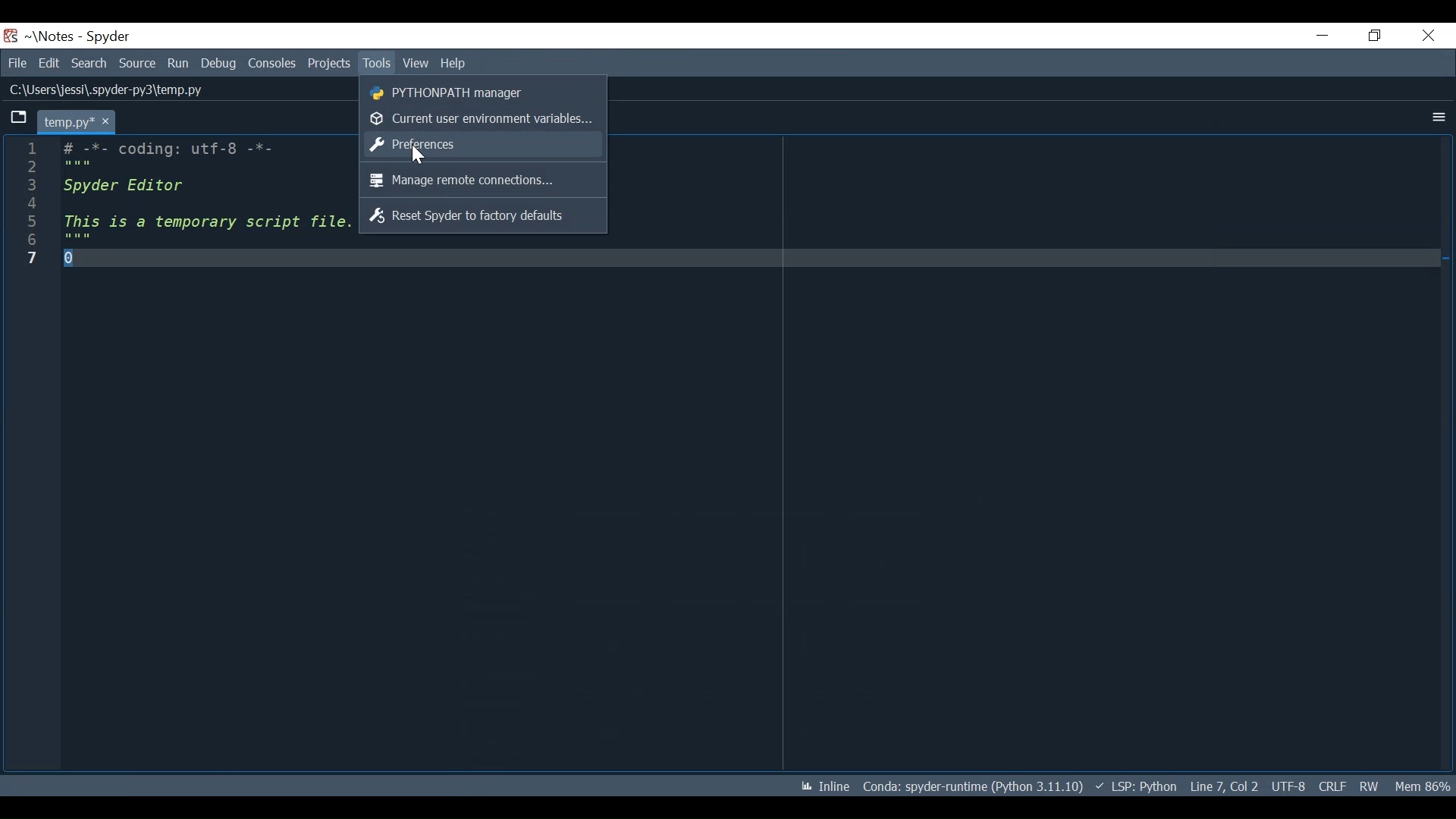 The image size is (1456, 819). Describe the element at coordinates (1314, 35) in the screenshot. I see `Minimize` at that location.